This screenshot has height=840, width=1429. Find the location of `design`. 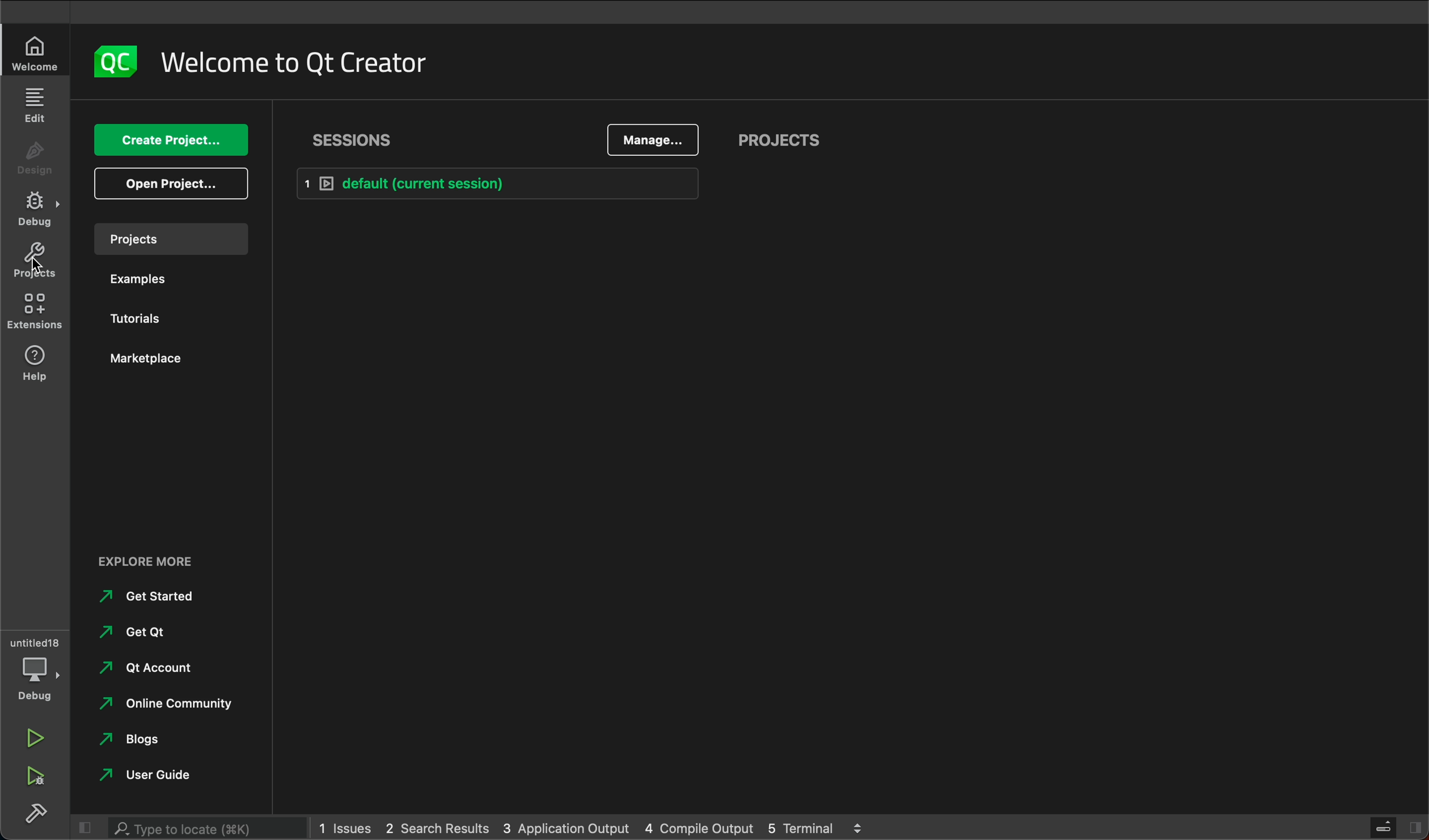

design is located at coordinates (33, 156).